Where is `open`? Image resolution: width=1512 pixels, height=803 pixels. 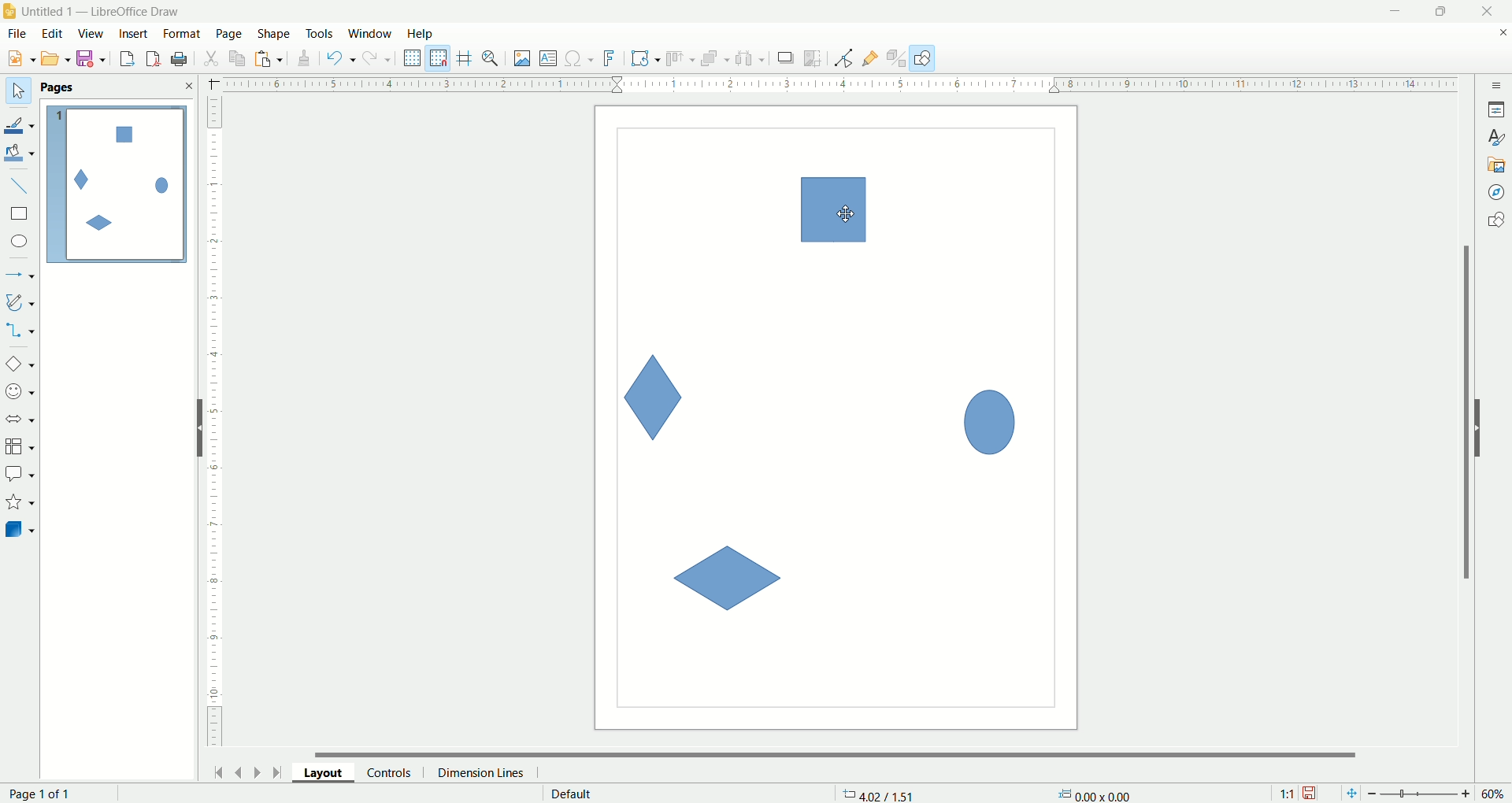 open is located at coordinates (56, 58).